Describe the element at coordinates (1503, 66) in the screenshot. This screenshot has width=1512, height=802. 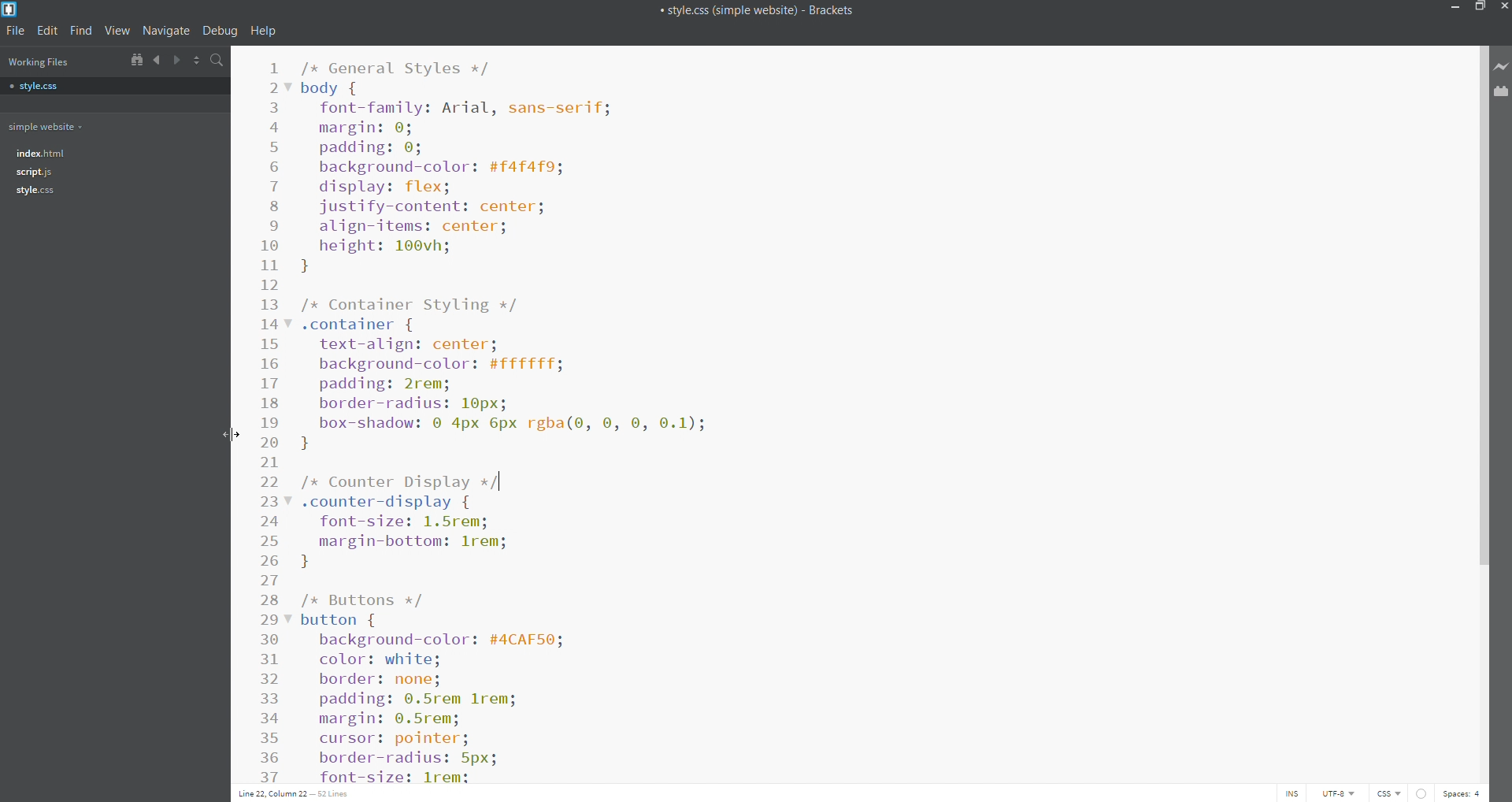
I see `live preview` at that location.